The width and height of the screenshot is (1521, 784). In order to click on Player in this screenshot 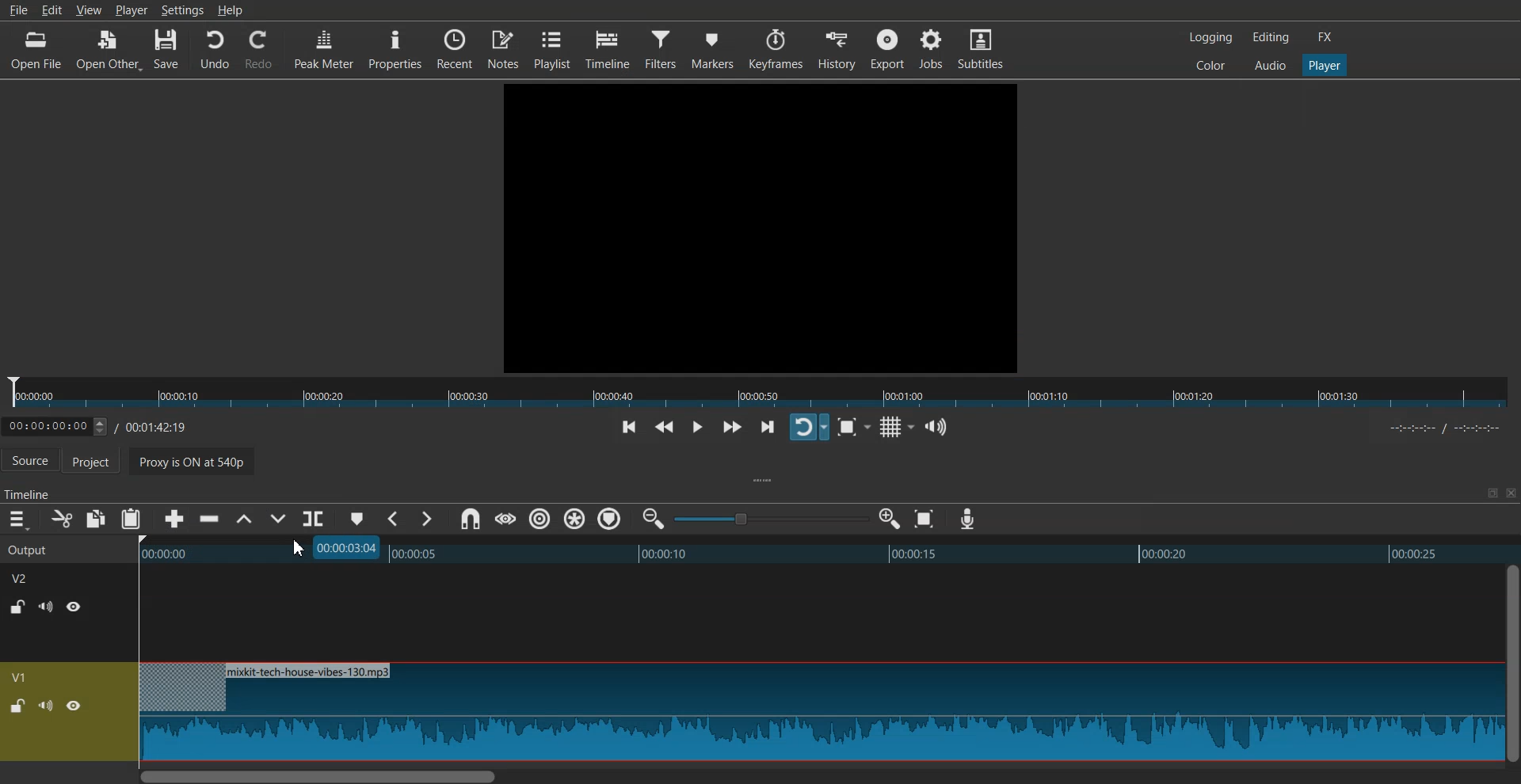, I will do `click(1325, 66)`.